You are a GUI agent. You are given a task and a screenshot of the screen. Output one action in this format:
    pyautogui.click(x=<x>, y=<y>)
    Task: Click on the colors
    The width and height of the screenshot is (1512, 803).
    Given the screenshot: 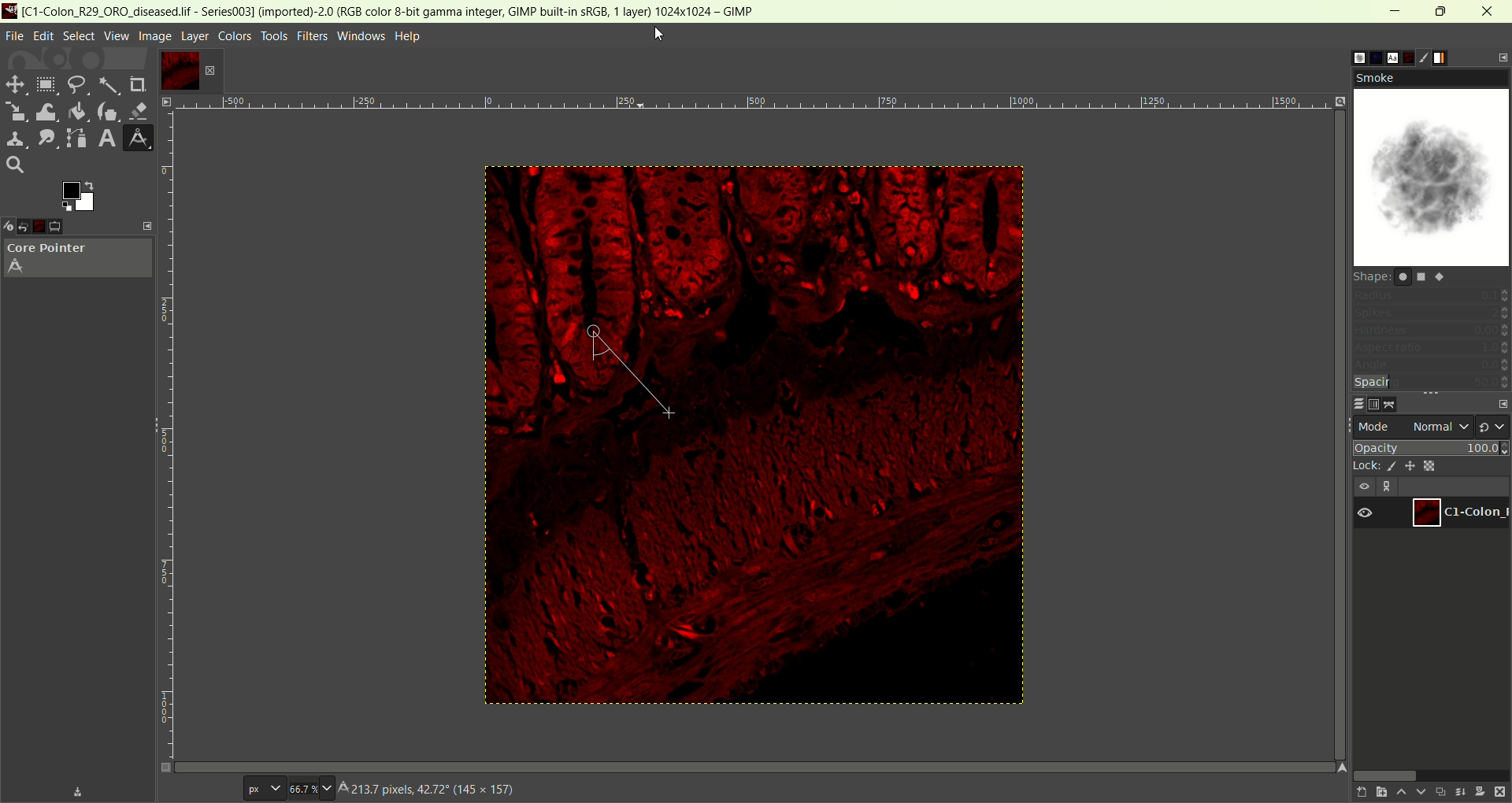 What is the action you would take?
    pyautogui.click(x=235, y=36)
    